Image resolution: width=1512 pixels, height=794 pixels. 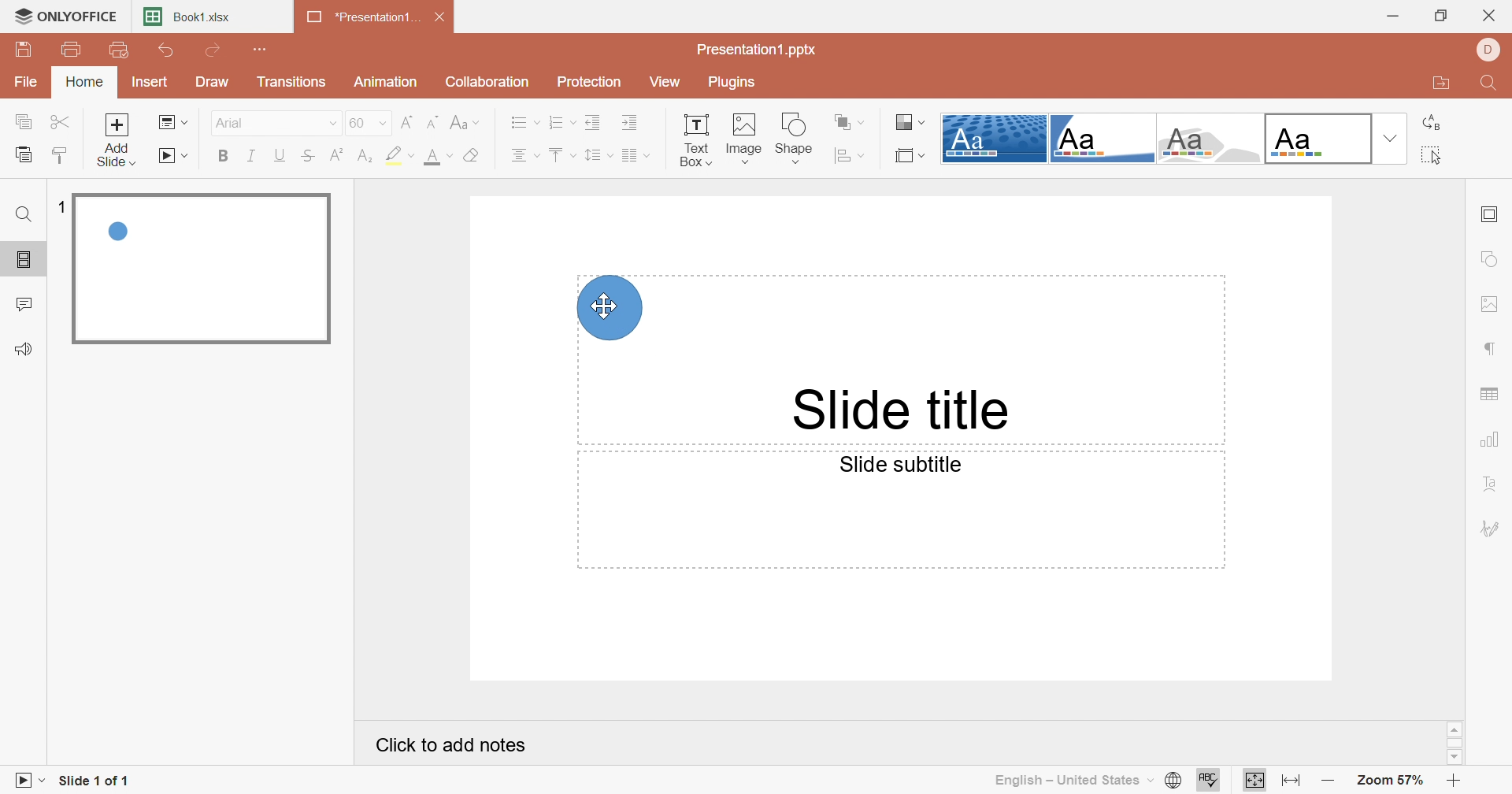 I want to click on Zoom out, so click(x=1330, y=784).